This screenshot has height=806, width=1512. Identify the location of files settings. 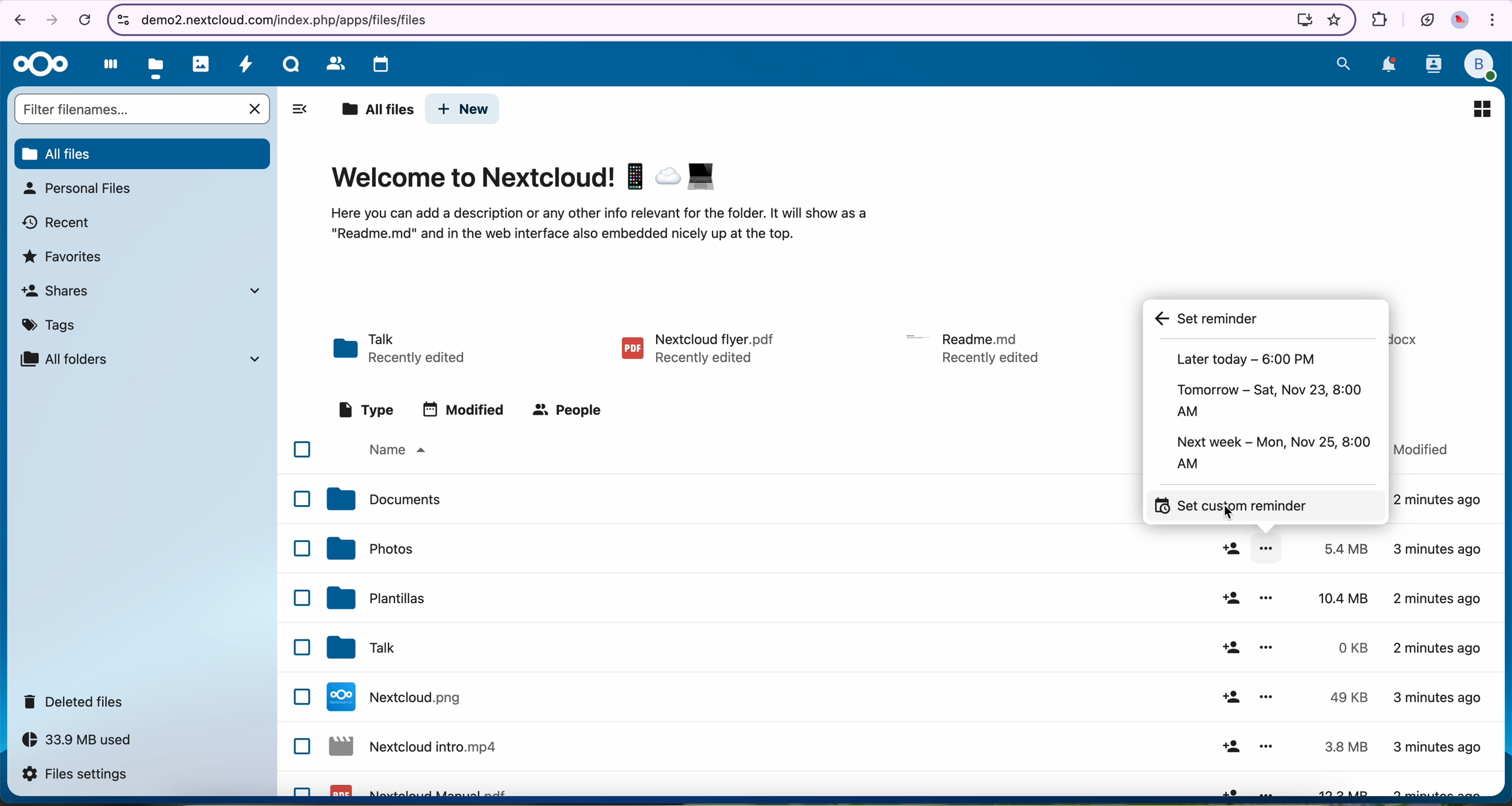
(75, 775).